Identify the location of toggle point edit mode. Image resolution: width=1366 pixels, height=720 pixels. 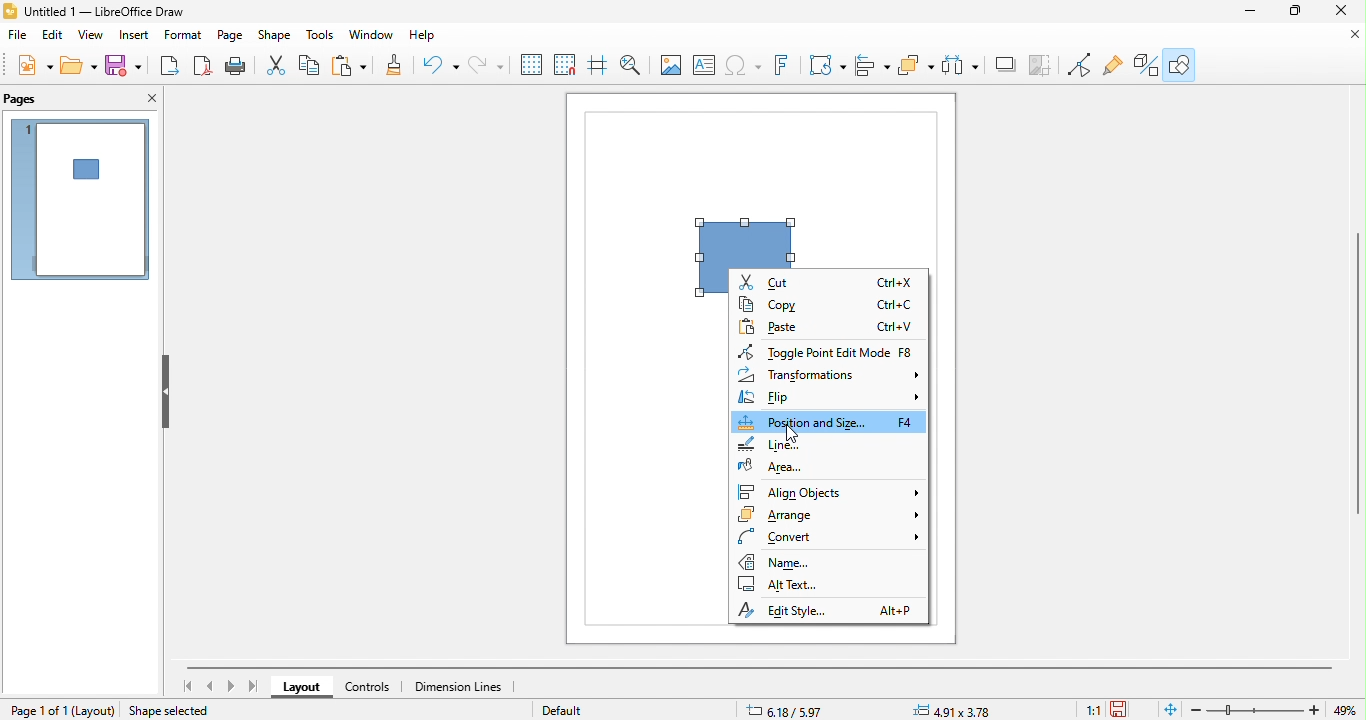
(1045, 66).